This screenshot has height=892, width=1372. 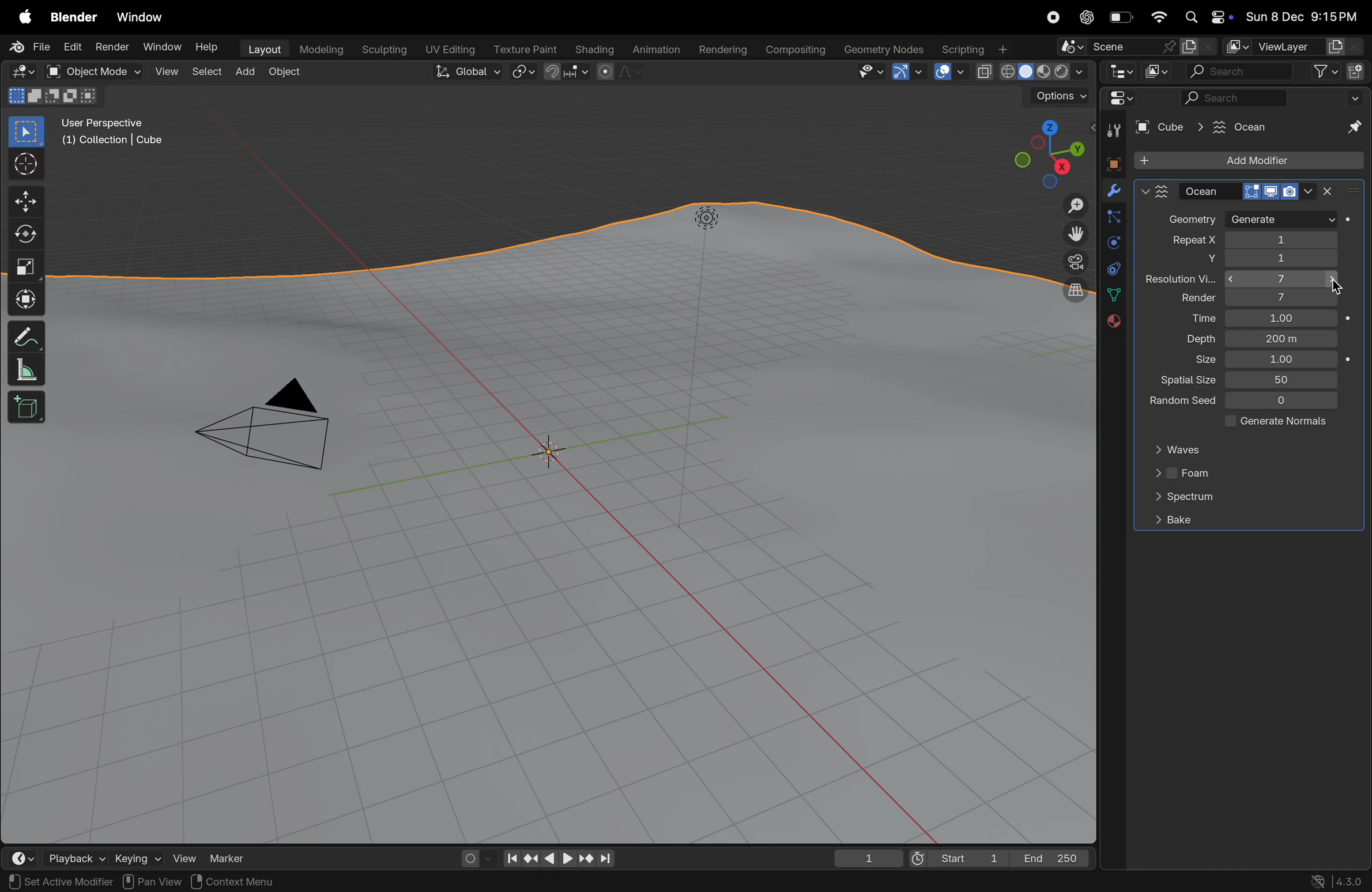 What do you see at coordinates (1193, 260) in the screenshot?
I see `y` at bounding box center [1193, 260].